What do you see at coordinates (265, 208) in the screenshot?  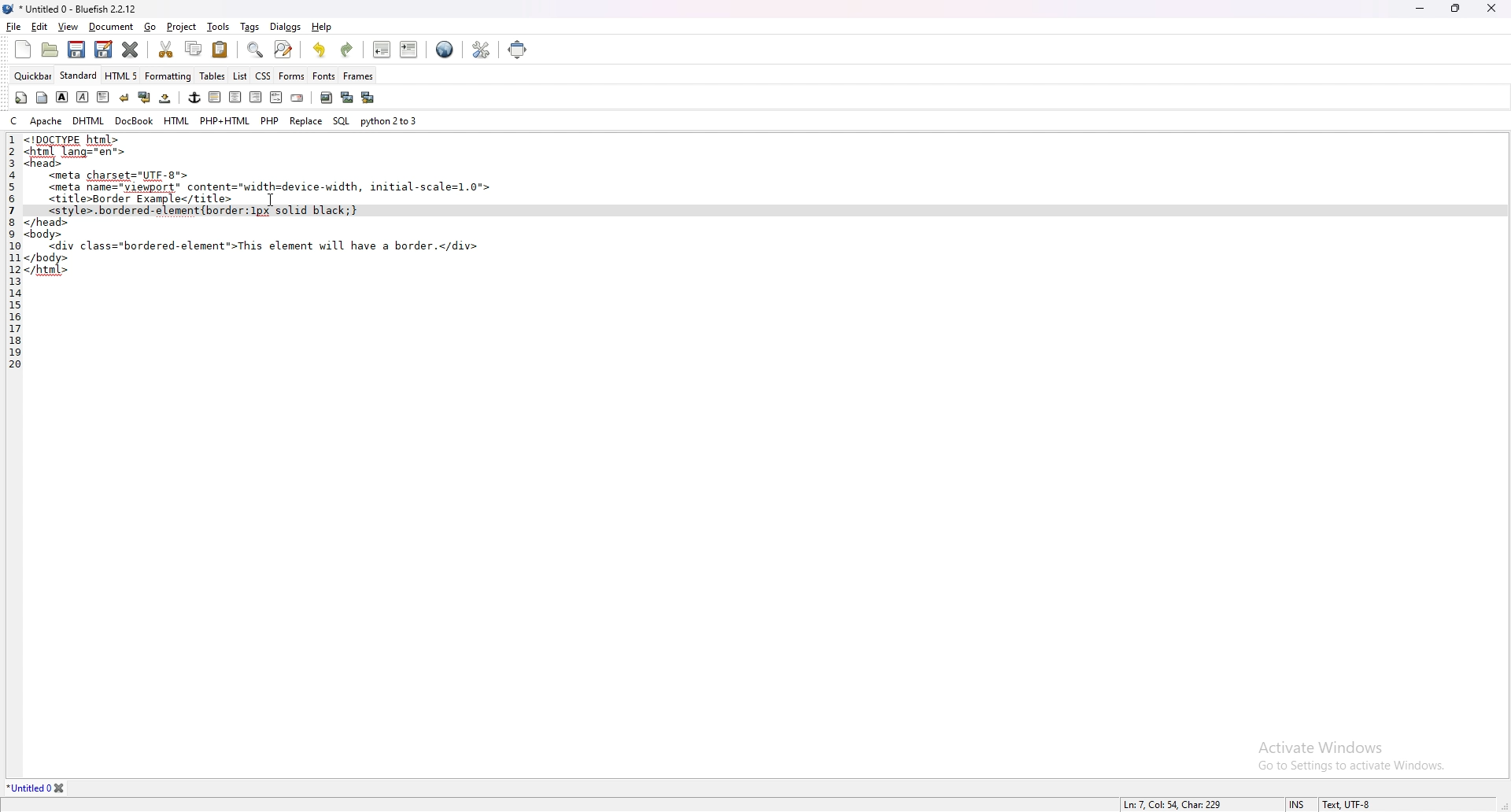 I see `<!DOCTYPE html><html lang=ren-><head><meta charset="UTE-8"><meta name="viewport" content="width=device-width, initial-scale=1.0"><titleBorder Example</title><style>.bordered-element {border :1px solid black;[</head><body><div class="bordered-element >This element will have a border.</div></body></html>` at bounding box center [265, 208].